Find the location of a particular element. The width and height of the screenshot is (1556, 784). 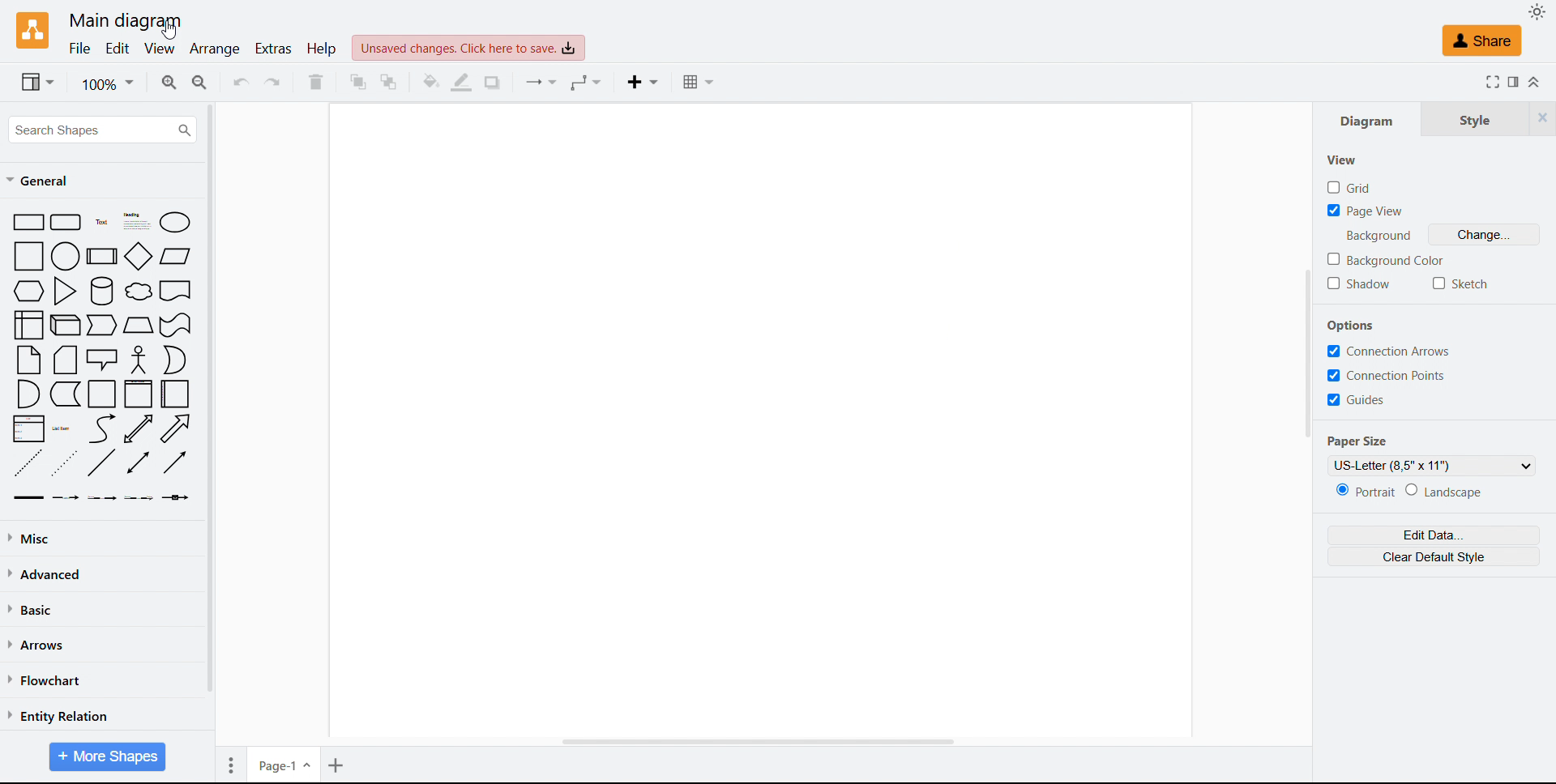

view  is located at coordinates (1342, 160).